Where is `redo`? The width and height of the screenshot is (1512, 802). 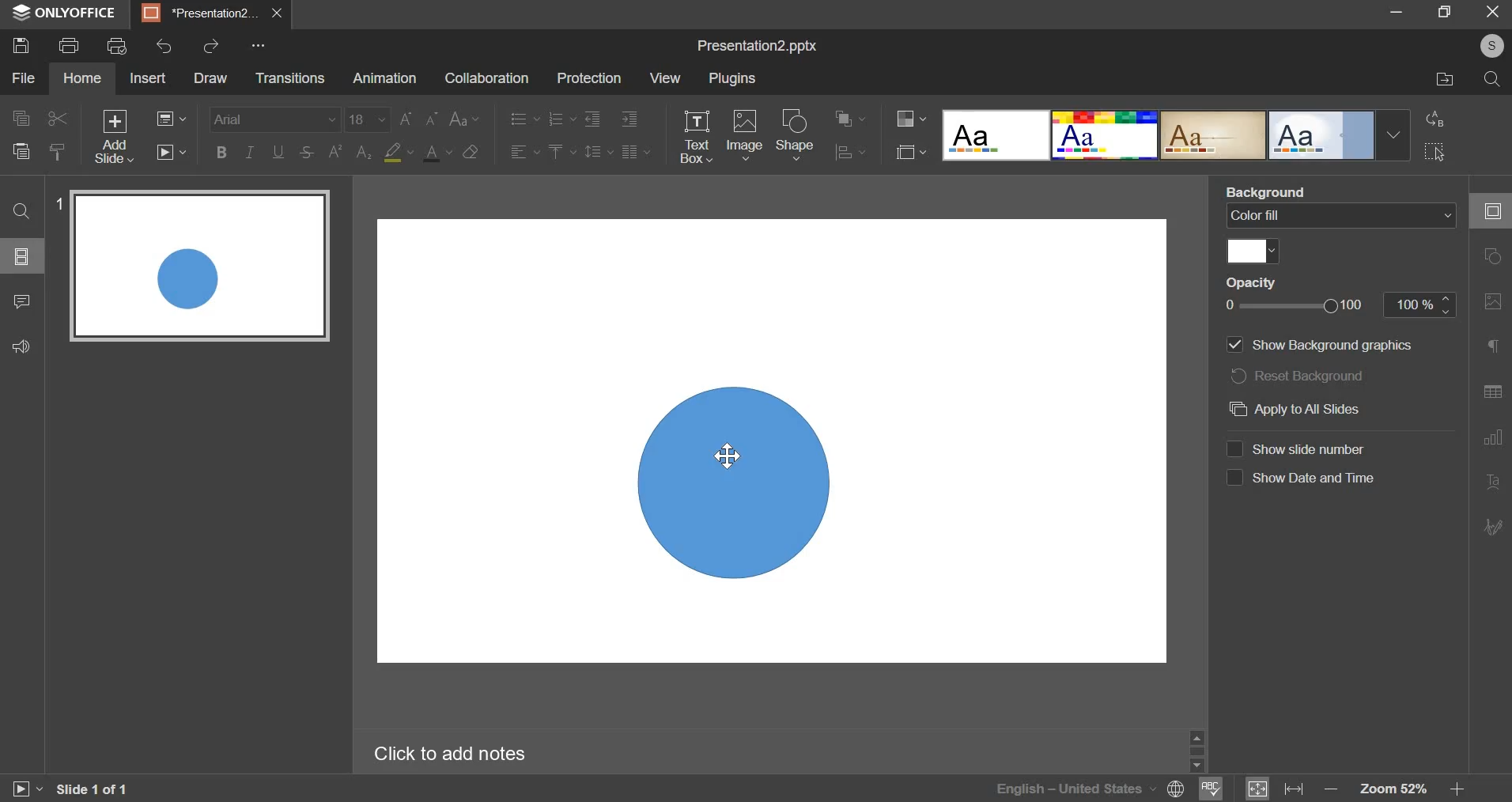
redo is located at coordinates (213, 47).